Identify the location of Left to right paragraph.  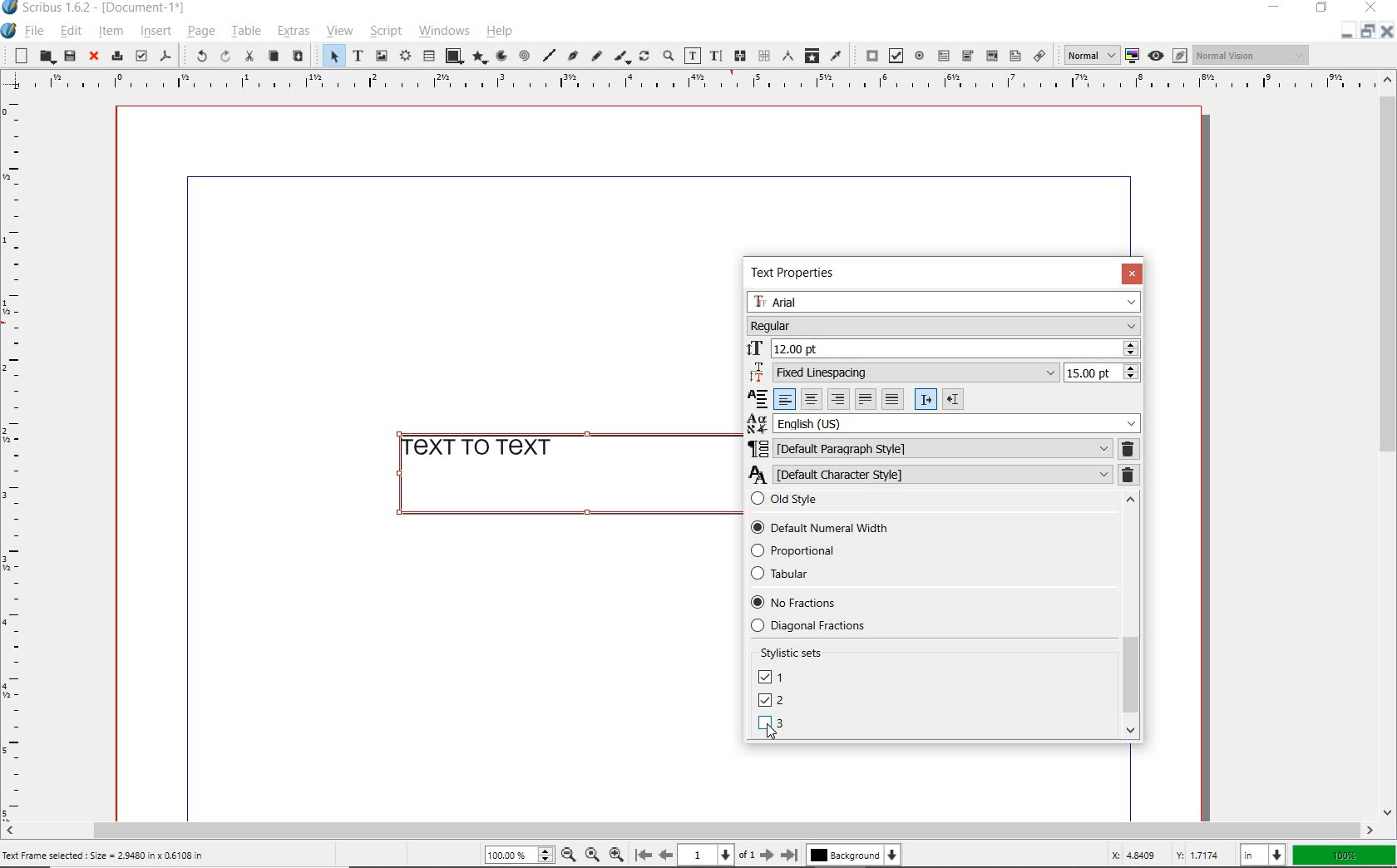
(926, 401).